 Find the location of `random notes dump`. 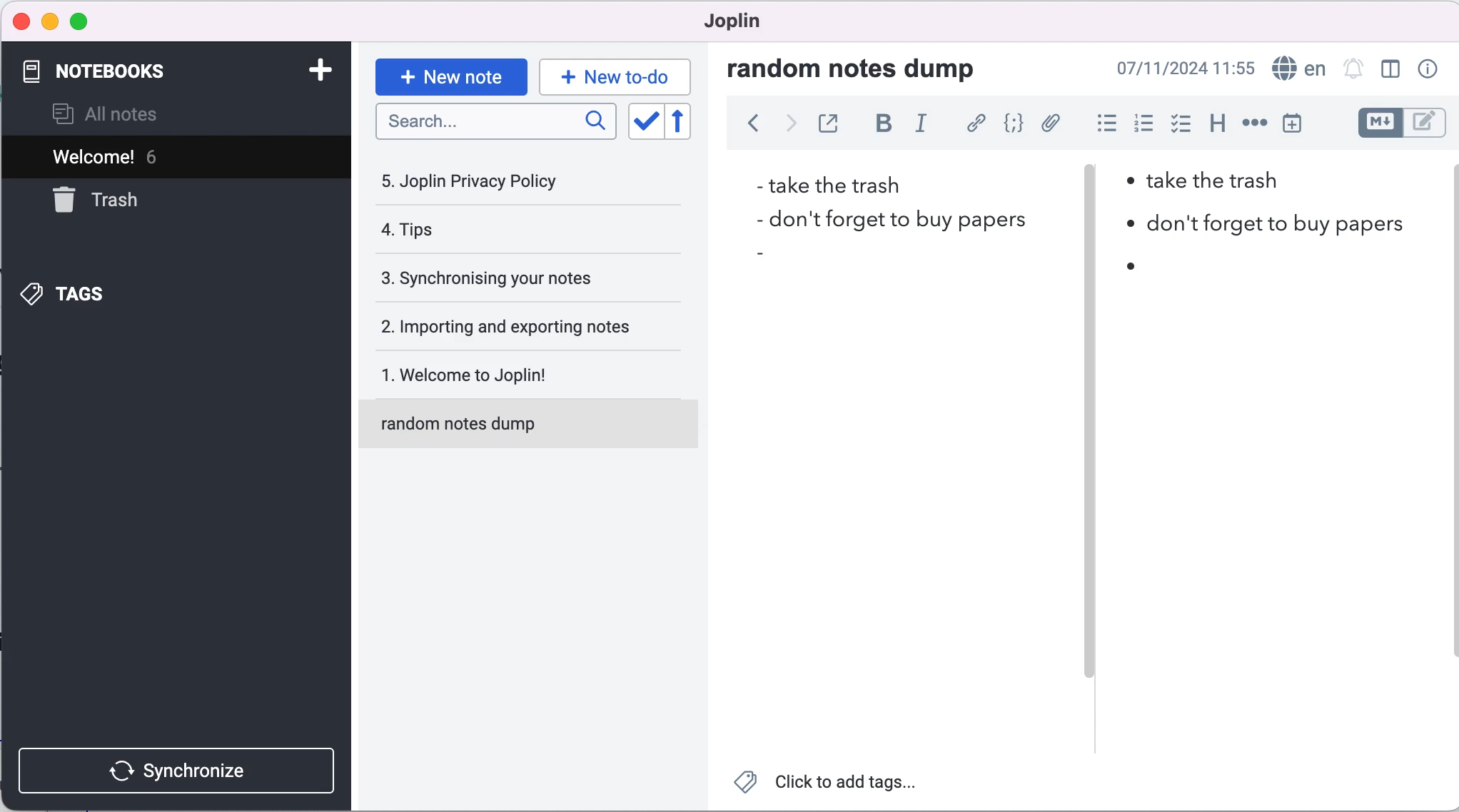

random notes dump is located at coordinates (535, 430).